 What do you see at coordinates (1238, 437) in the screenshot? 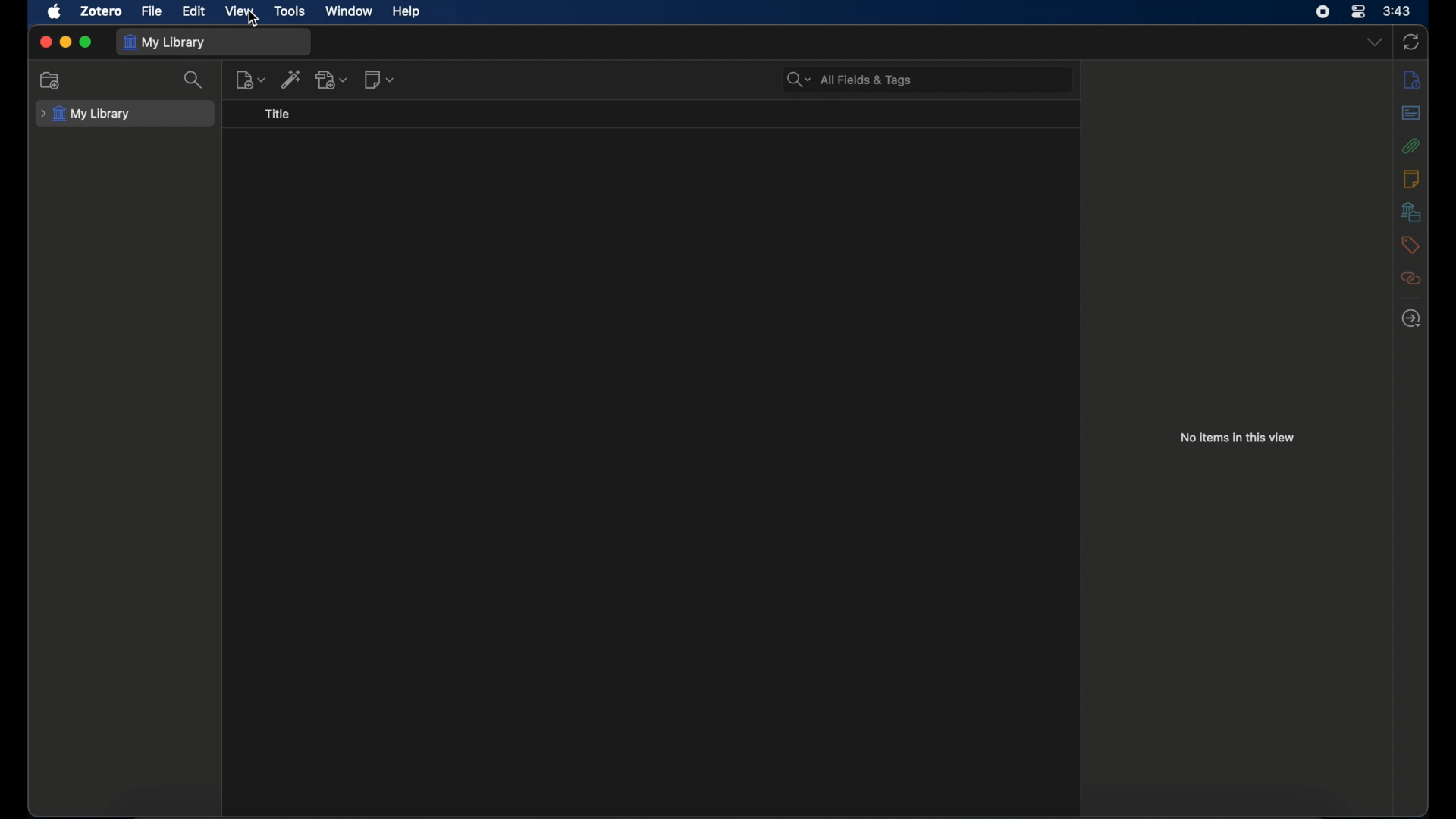
I see `no items in this view` at bounding box center [1238, 437].